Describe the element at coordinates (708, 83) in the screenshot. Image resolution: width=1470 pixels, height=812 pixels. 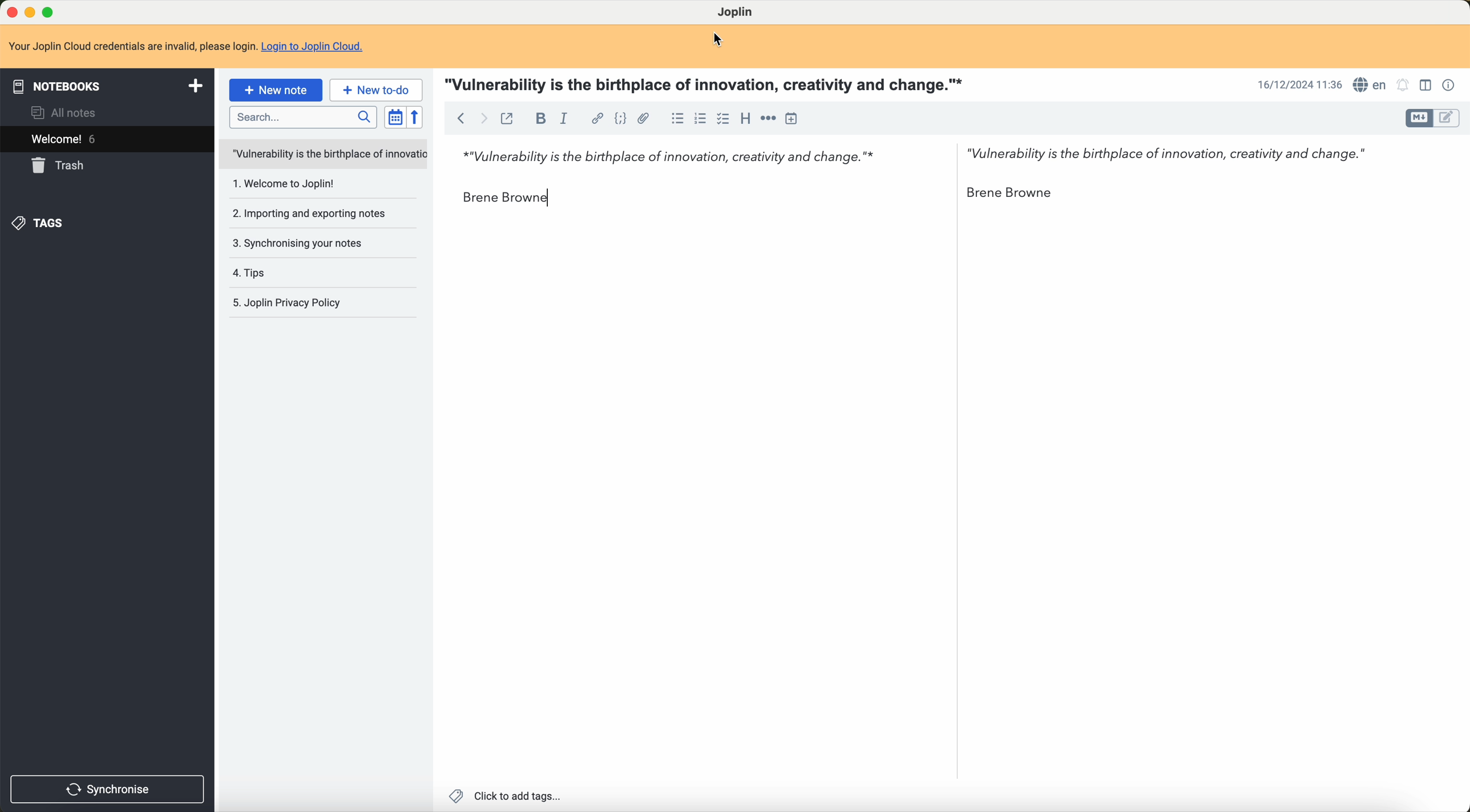
I see `"Vulnerability is the birthplace of innovation, creativity and change."*` at that location.